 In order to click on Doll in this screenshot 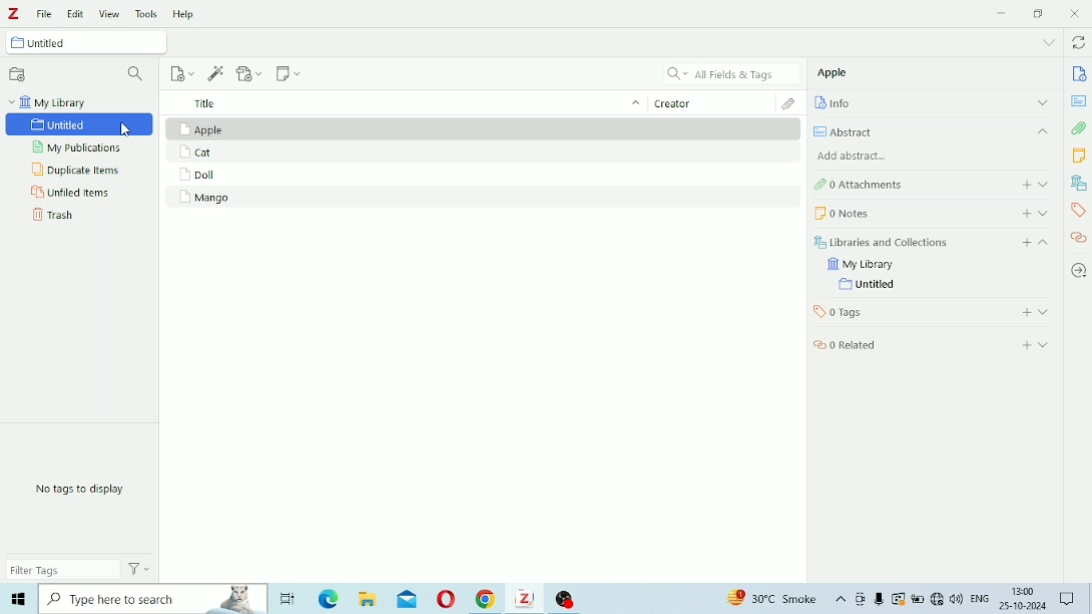, I will do `click(206, 175)`.